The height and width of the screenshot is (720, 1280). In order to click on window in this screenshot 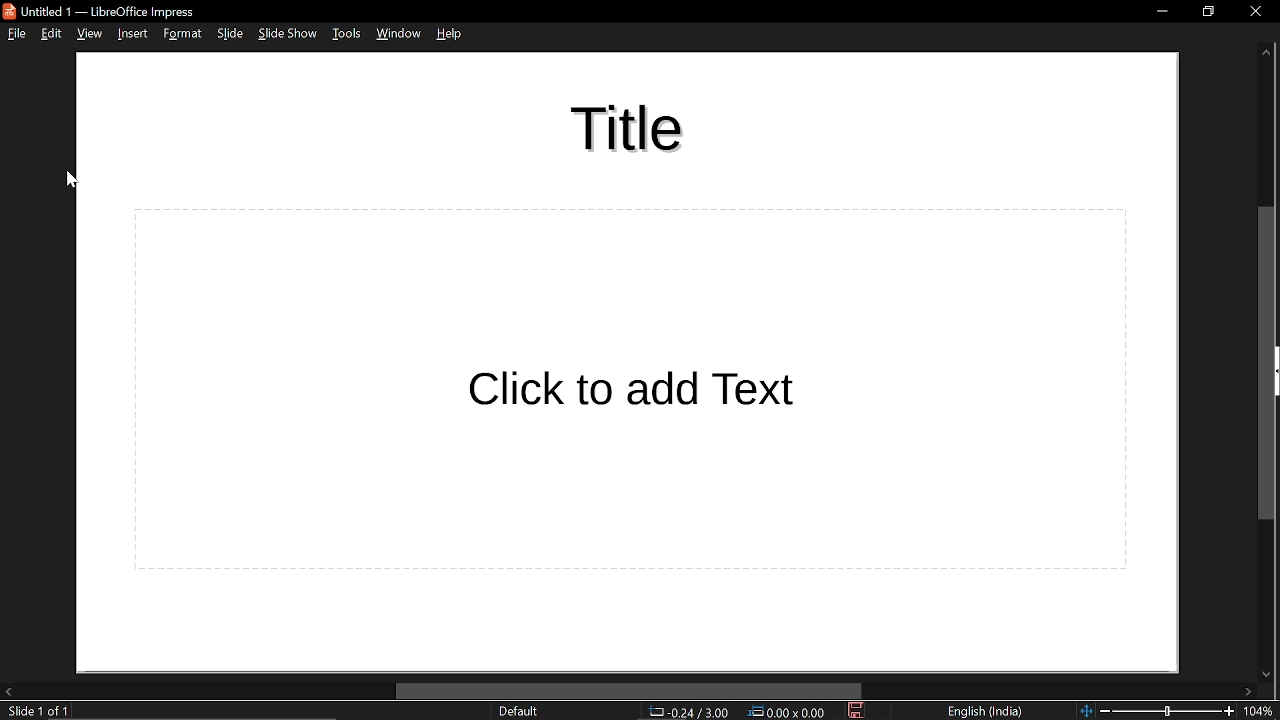, I will do `click(398, 33)`.